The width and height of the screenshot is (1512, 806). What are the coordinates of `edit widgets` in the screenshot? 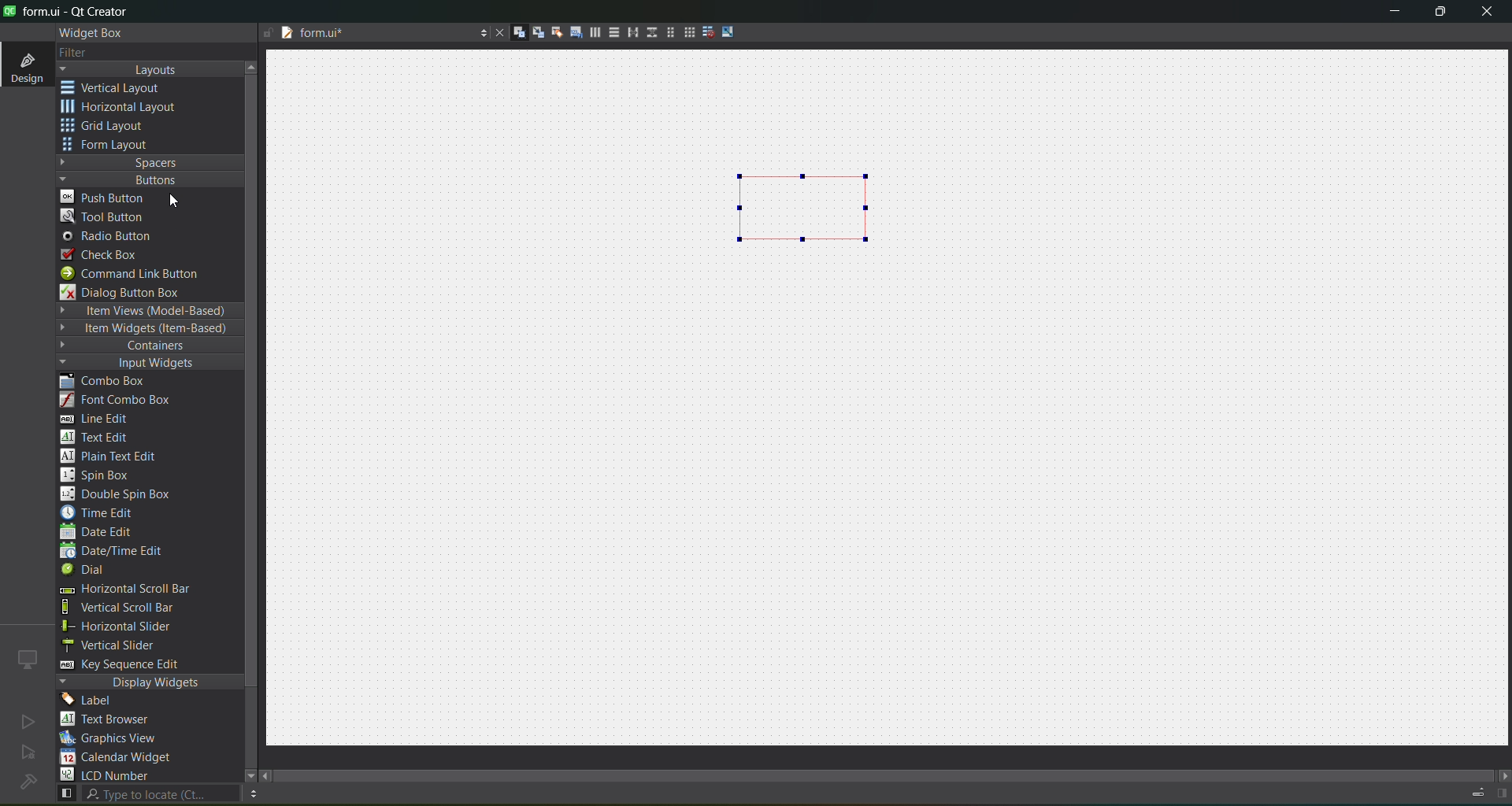 It's located at (513, 33).